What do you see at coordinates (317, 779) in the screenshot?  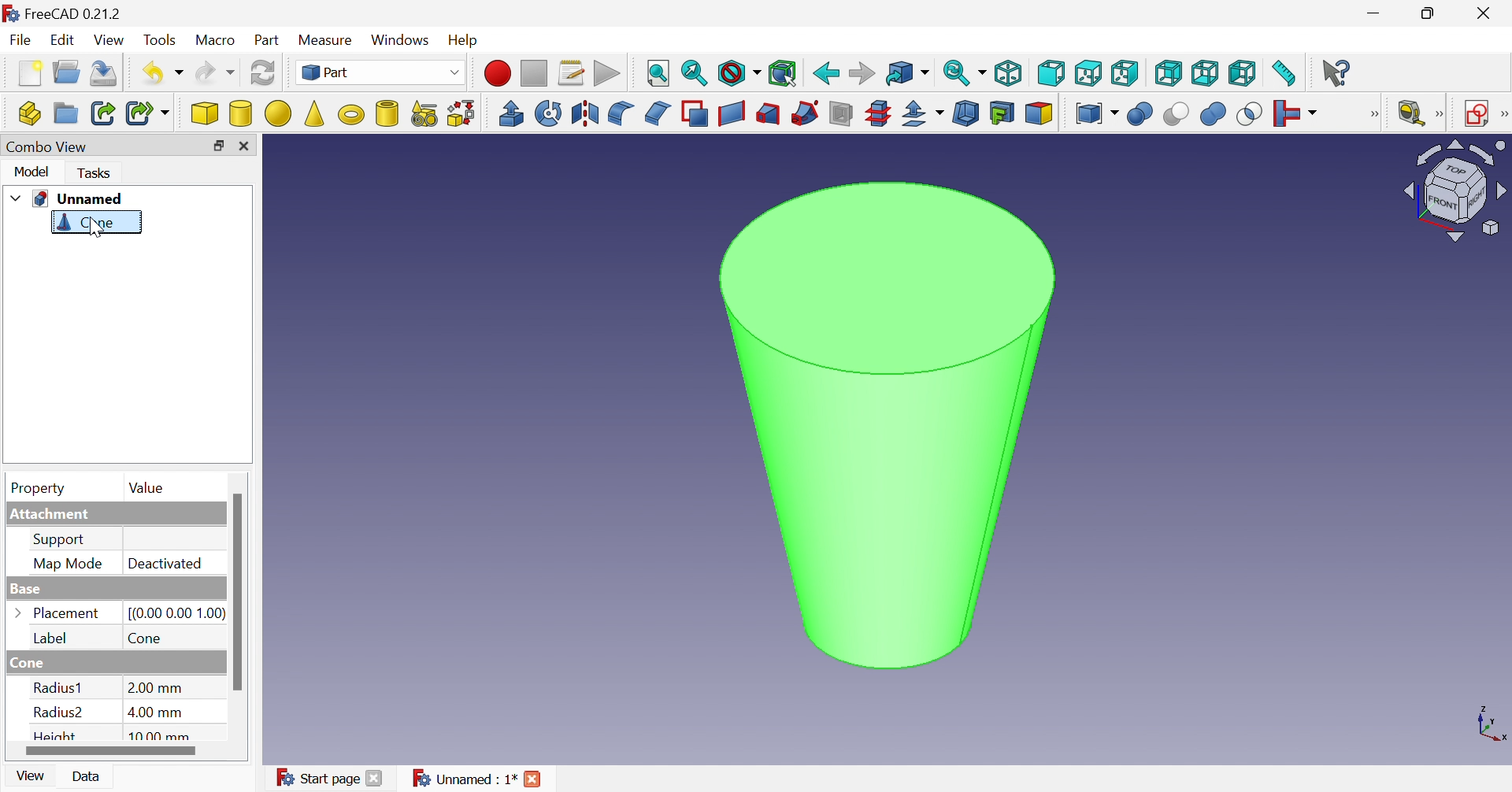 I see `Start page` at bounding box center [317, 779].